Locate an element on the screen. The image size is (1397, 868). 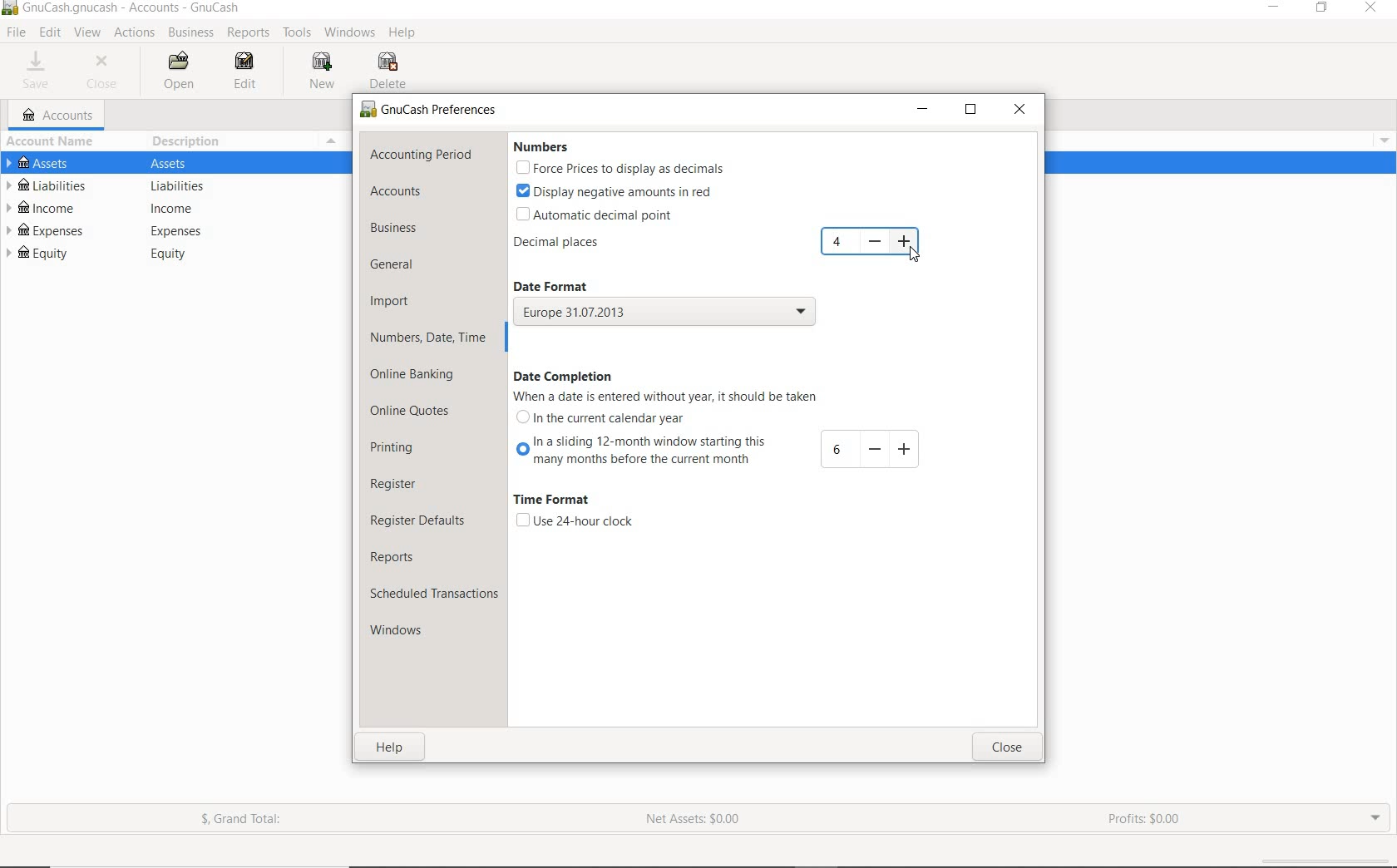
title is located at coordinates (132, 9).